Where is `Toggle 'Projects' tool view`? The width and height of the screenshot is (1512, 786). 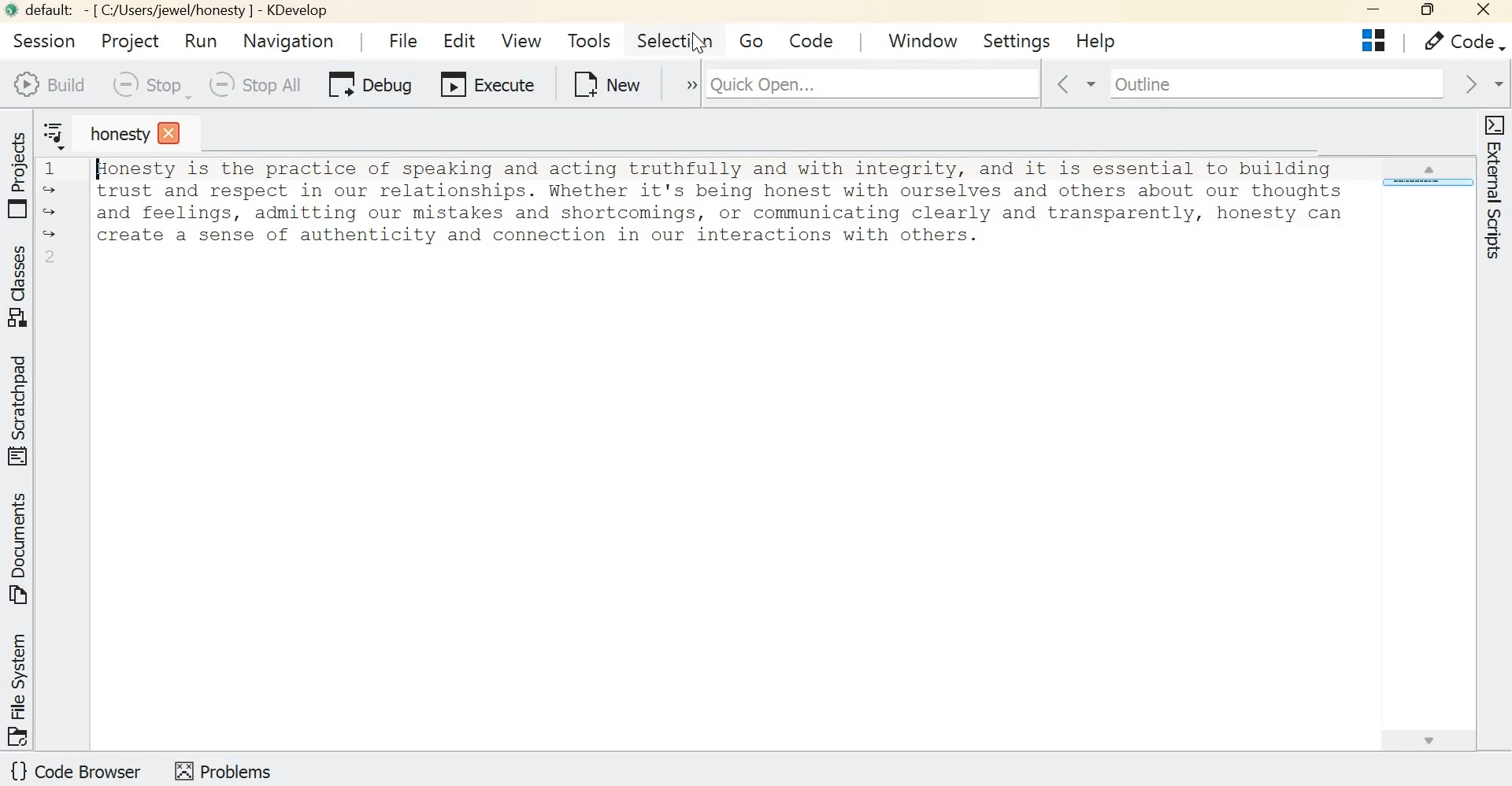 Toggle 'Projects' tool view is located at coordinates (21, 171).